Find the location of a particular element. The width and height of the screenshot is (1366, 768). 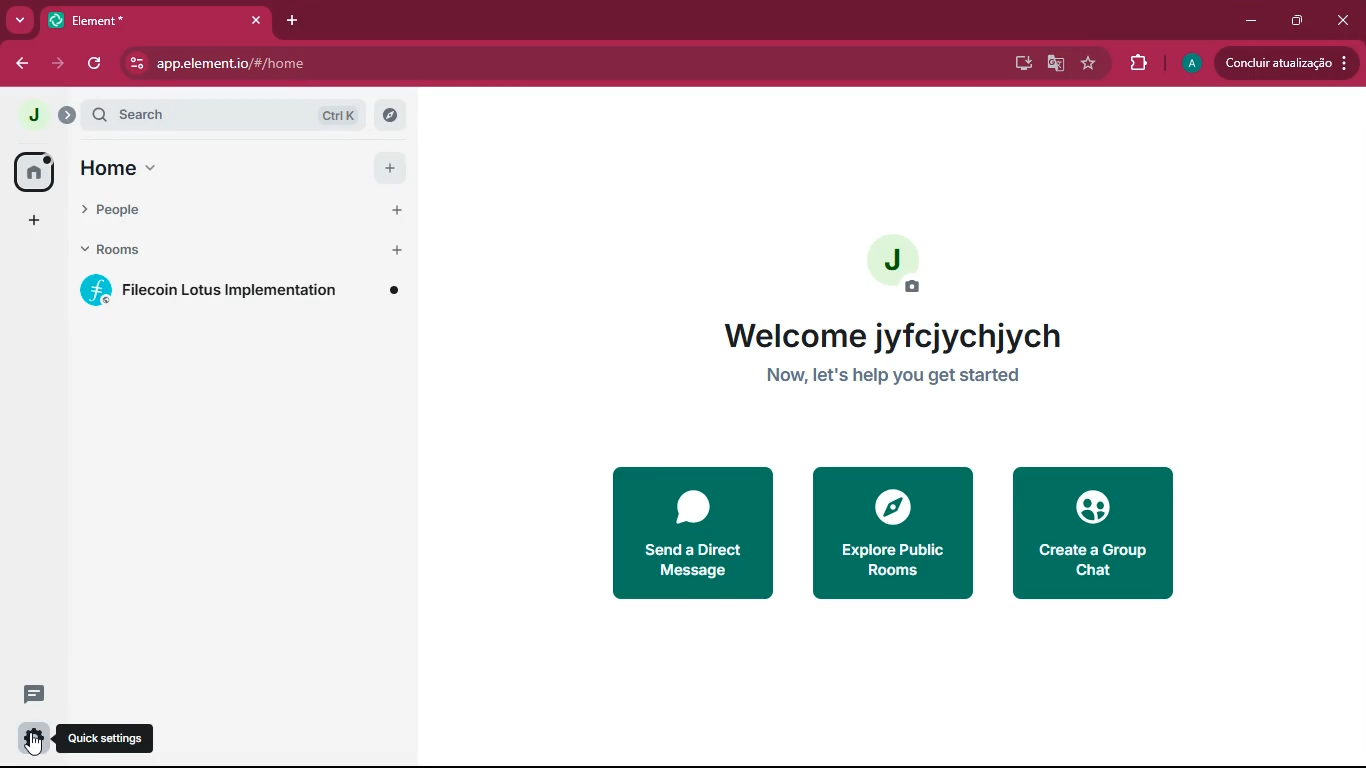

settings is located at coordinates (30, 739).